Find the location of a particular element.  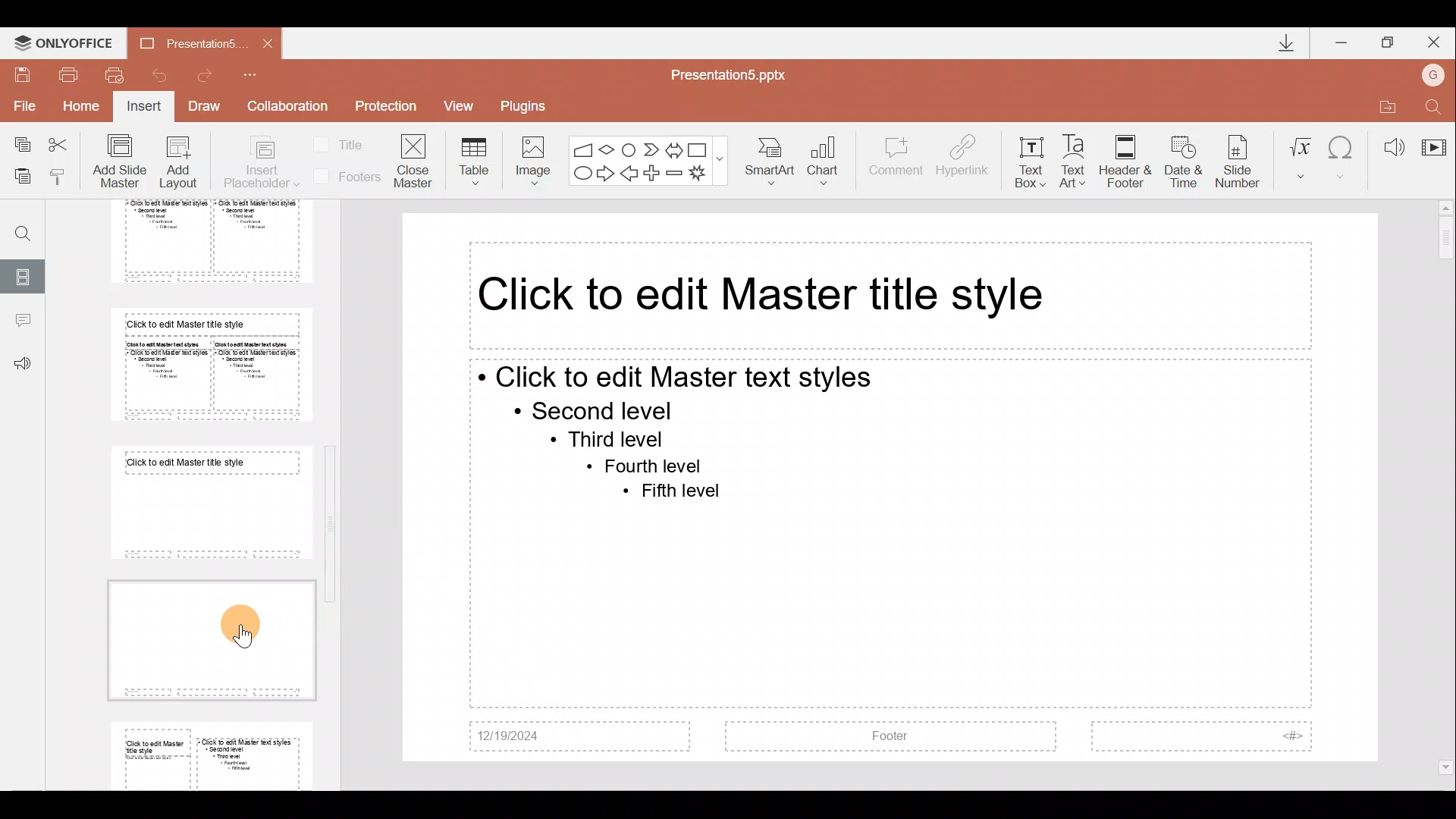

Document name is located at coordinates (181, 42).